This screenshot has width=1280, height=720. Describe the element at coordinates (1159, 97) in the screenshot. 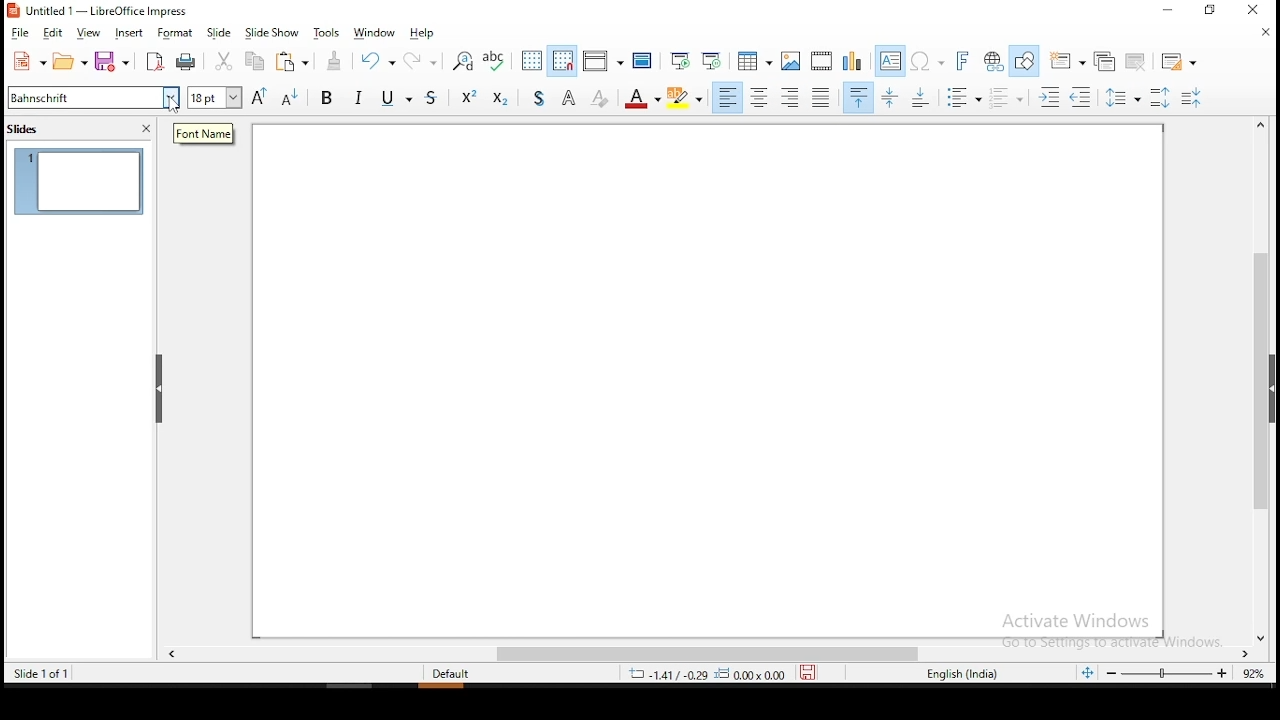

I see `icrease paragraph spacing` at that location.